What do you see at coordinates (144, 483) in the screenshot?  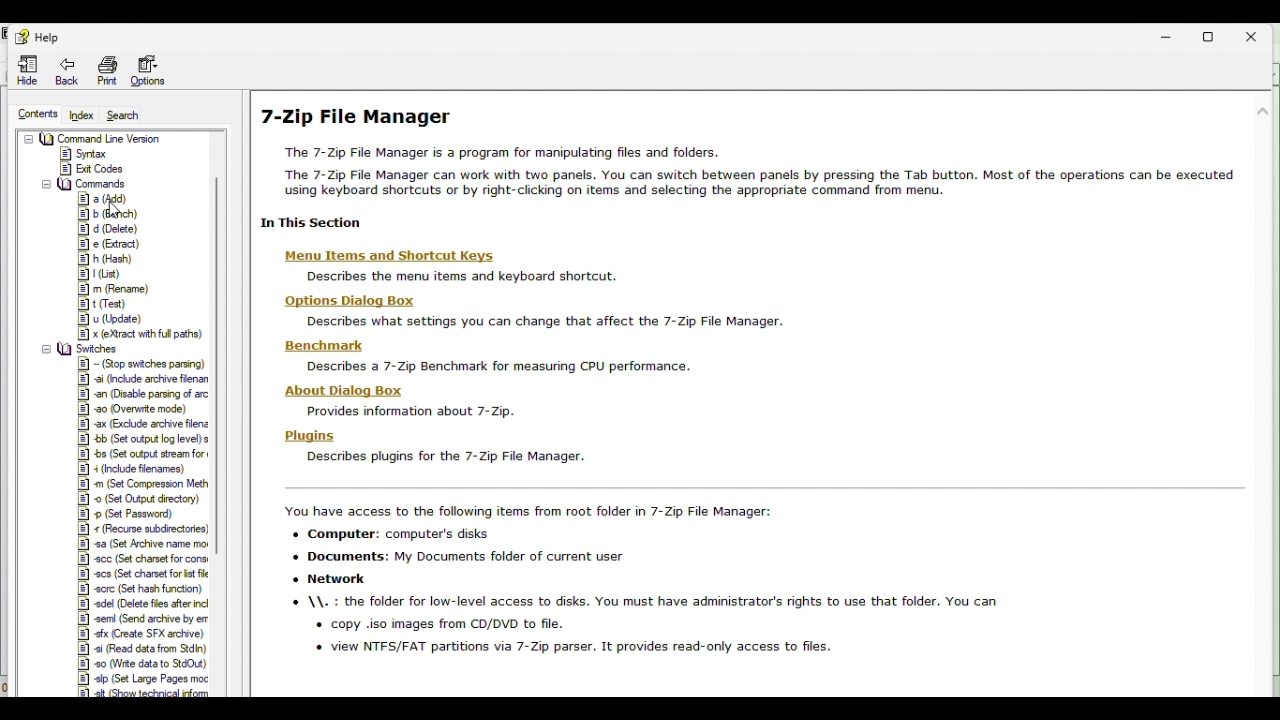 I see `-m` at bounding box center [144, 483].